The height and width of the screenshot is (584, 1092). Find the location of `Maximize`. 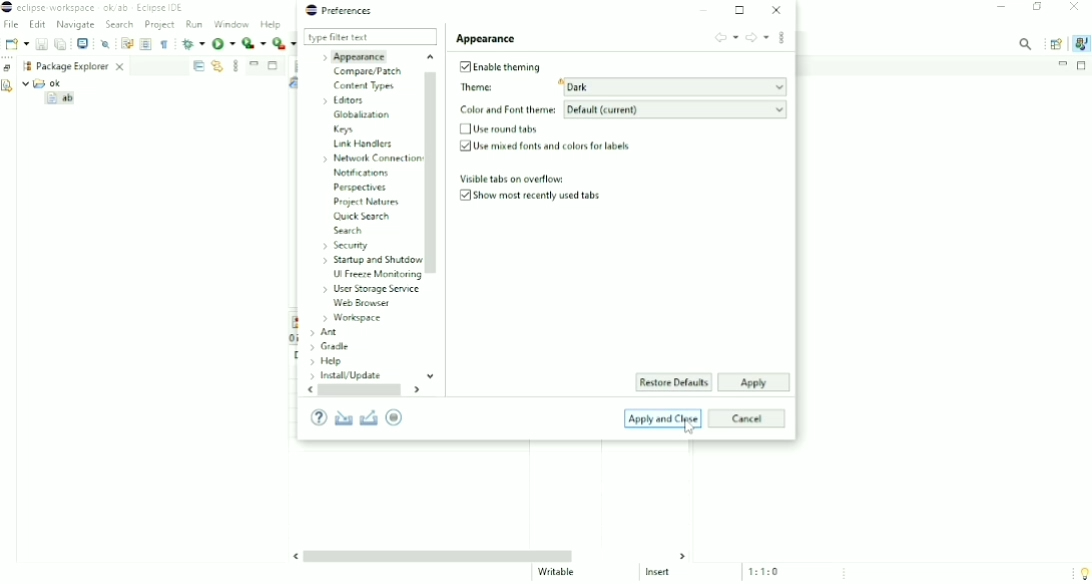

Maximize is located at coordinates (1083, 66).